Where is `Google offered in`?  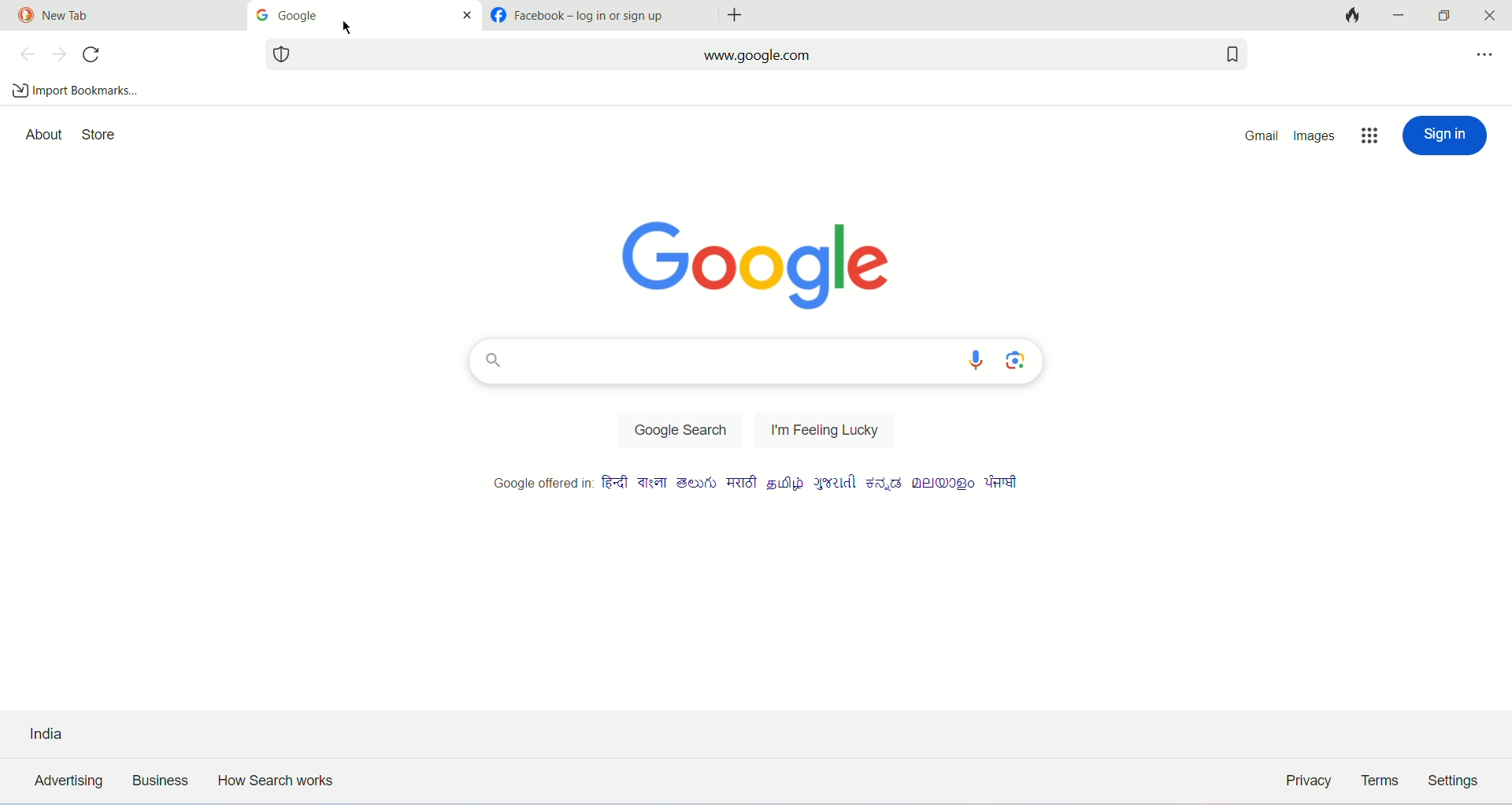
Google offered in is located at coordinates (754, 484).